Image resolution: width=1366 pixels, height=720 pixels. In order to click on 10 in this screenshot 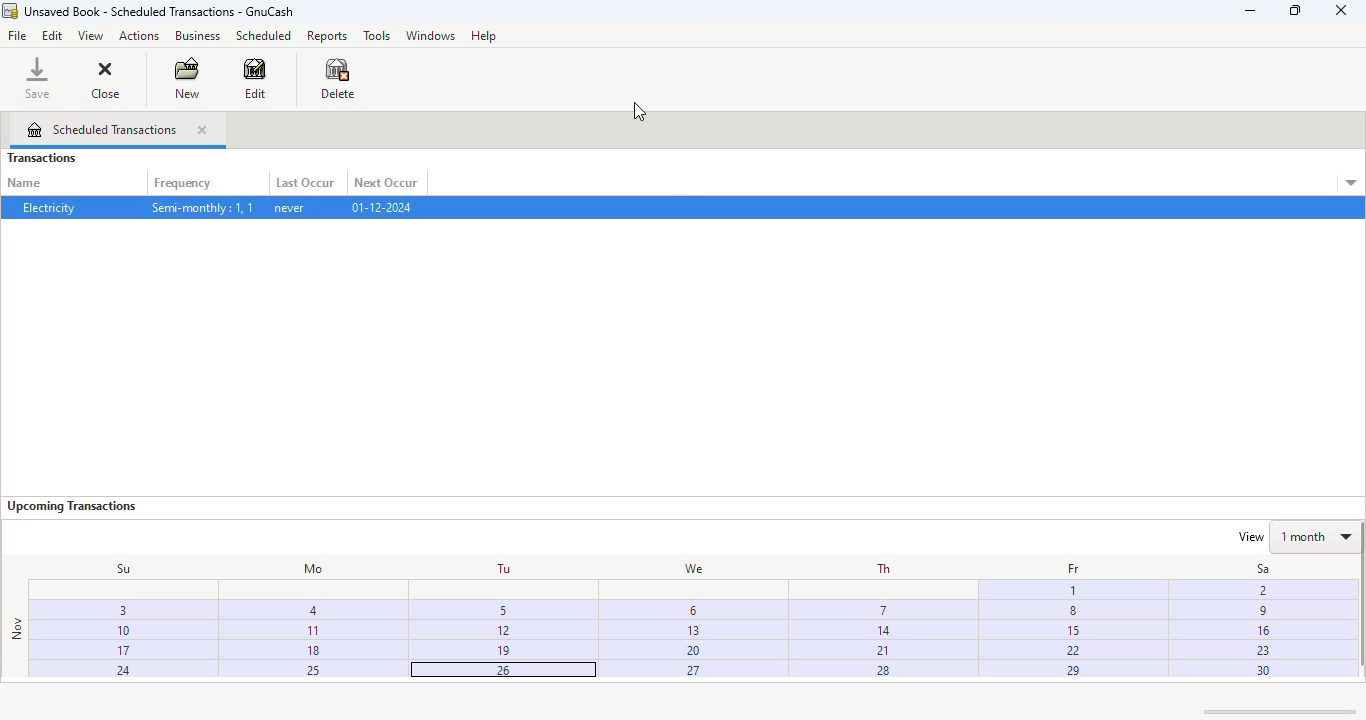, I will do `click(106, 631)`.